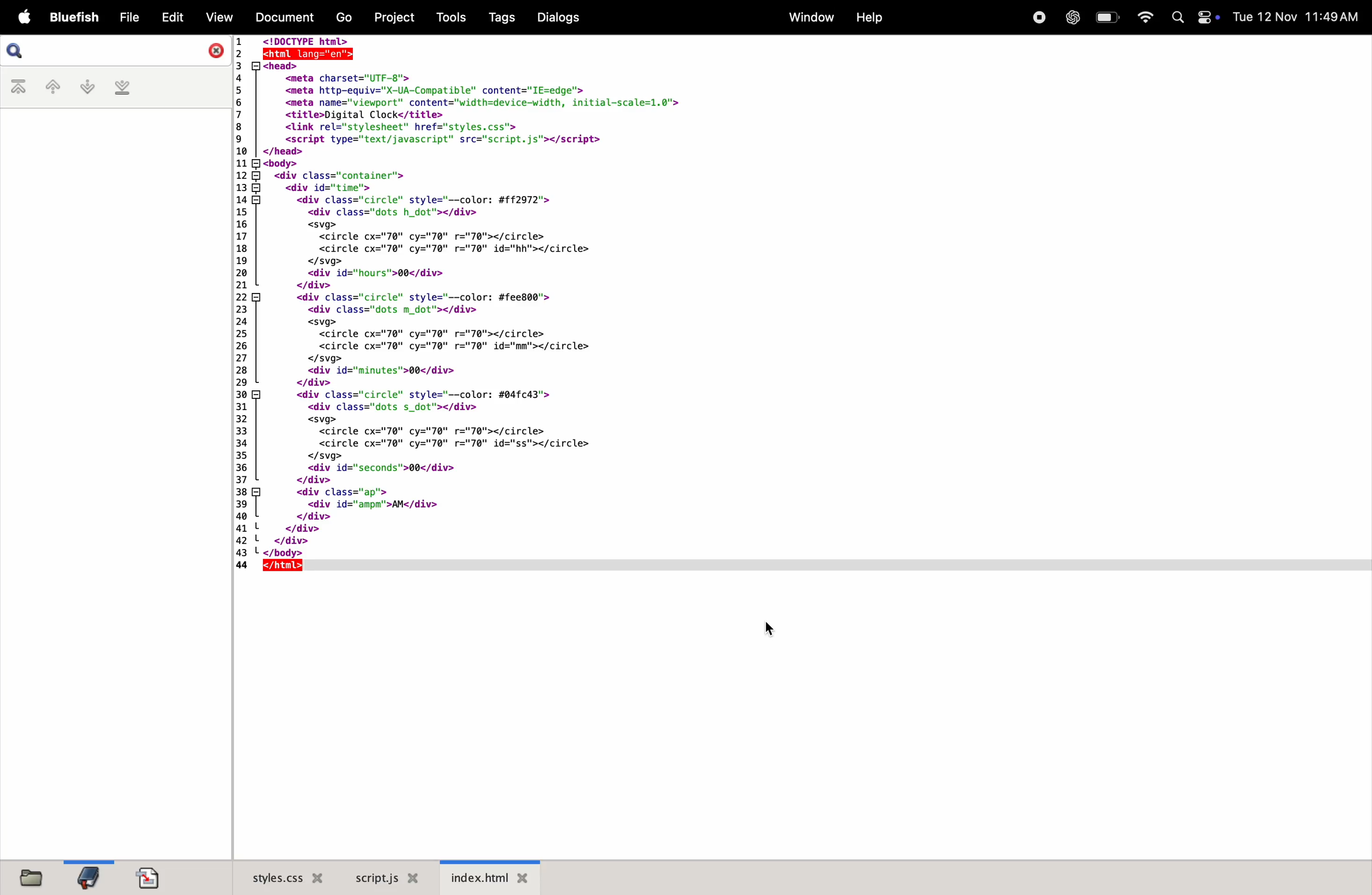  I want to click on last bookmark, so click(122, 88).